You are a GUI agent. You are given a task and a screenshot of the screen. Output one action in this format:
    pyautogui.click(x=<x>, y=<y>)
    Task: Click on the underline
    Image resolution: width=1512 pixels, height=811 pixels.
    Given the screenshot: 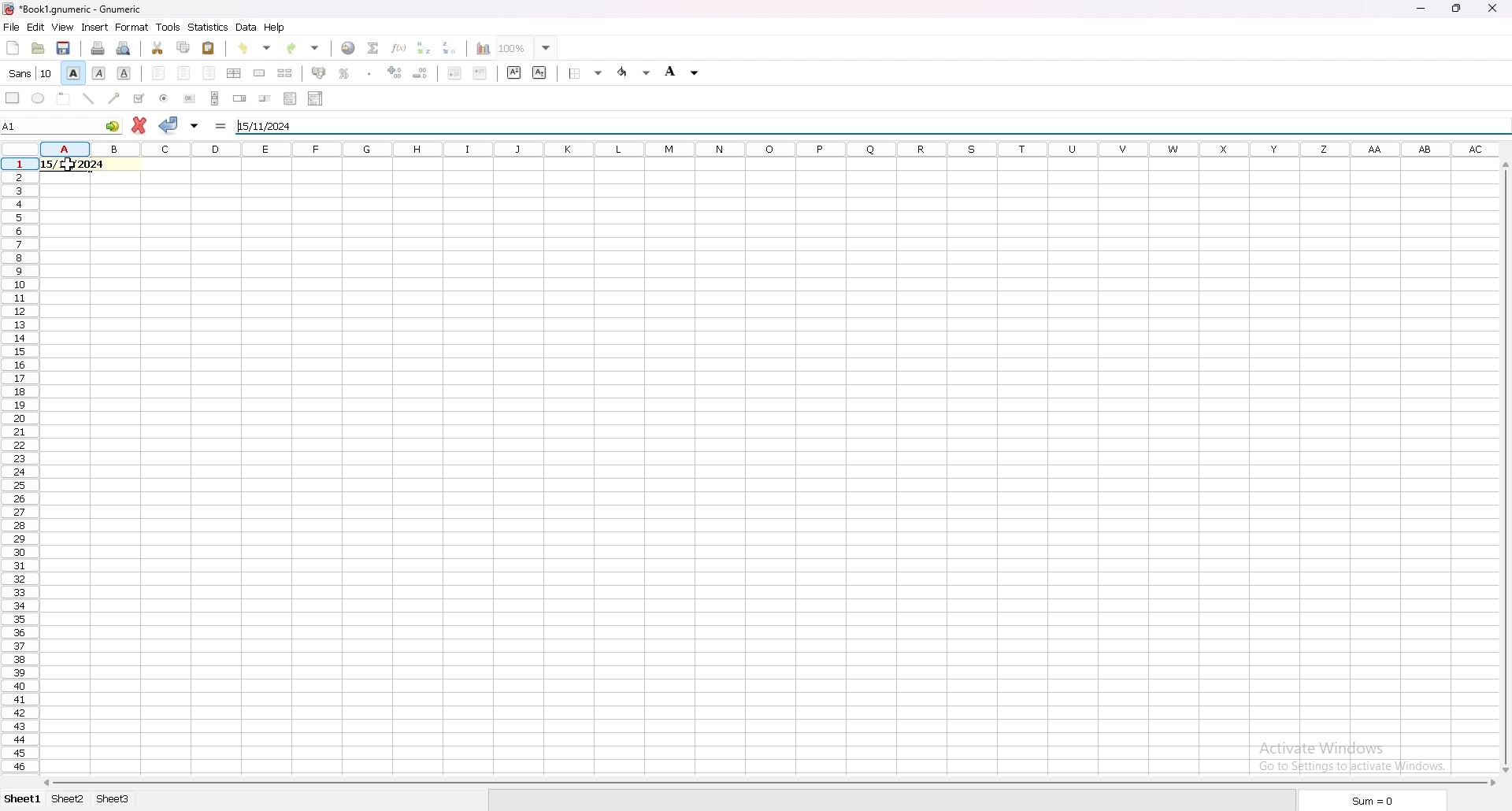 What is the action you would take?
    pyautogui.click(x=125, y=74)
    